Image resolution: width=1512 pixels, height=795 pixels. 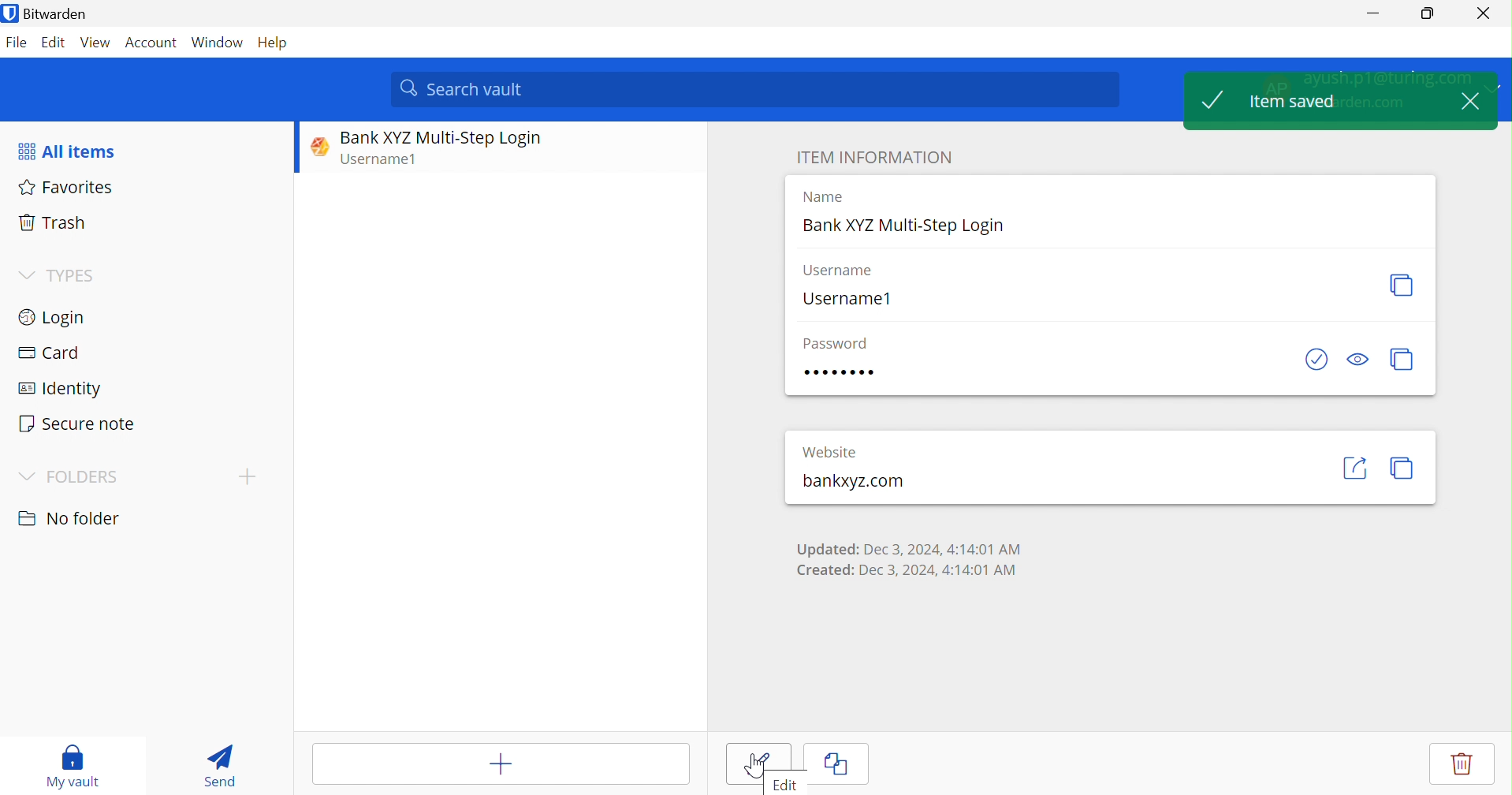 What do you see at coordinates (1462, 763) in the screenshot?
I see `Delete` at bounding box center [1462, 763].